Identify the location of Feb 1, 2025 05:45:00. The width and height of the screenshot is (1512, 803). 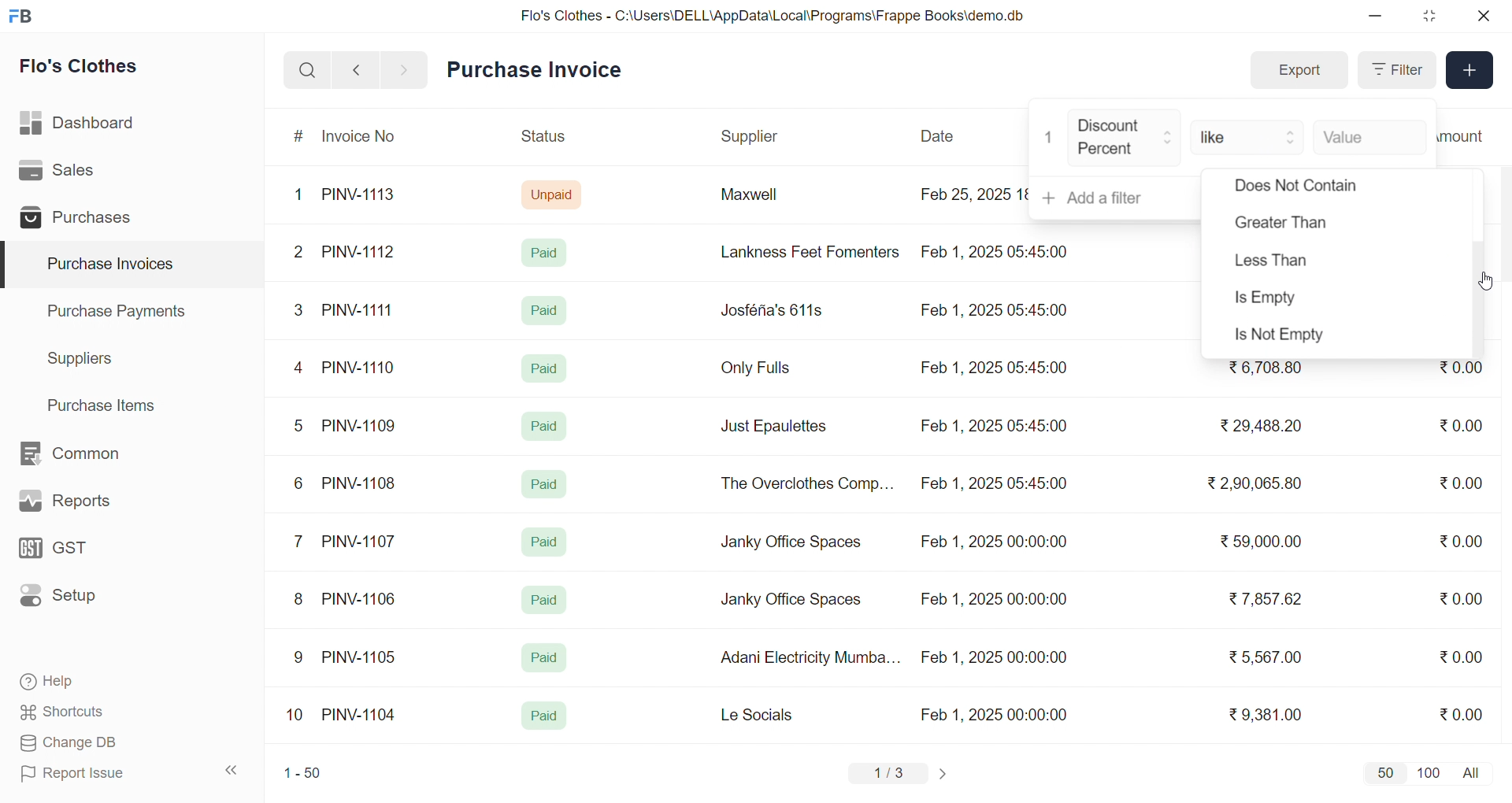
(993, 426).